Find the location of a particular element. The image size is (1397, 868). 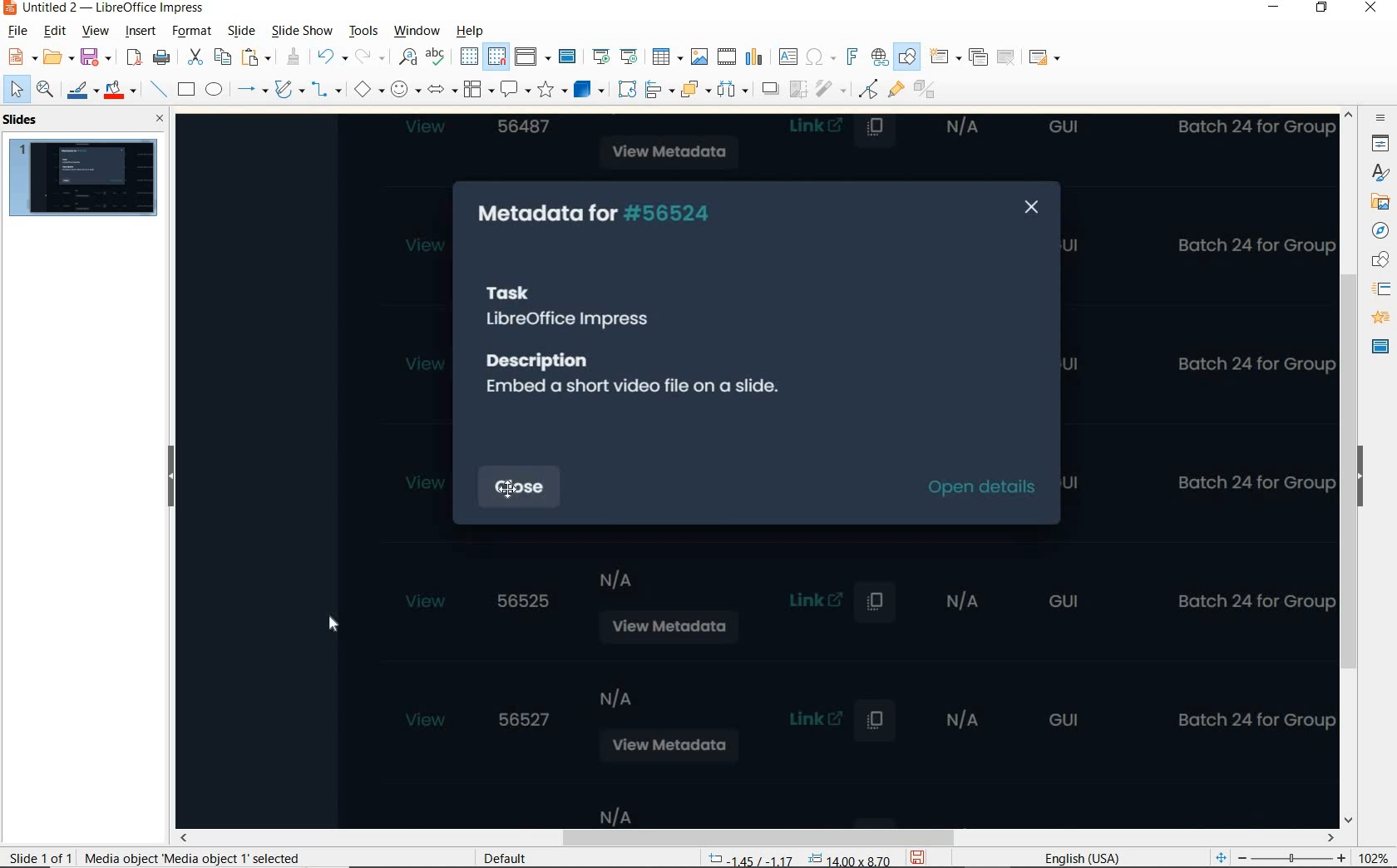

SAVE is located at coordinates (96, 57).